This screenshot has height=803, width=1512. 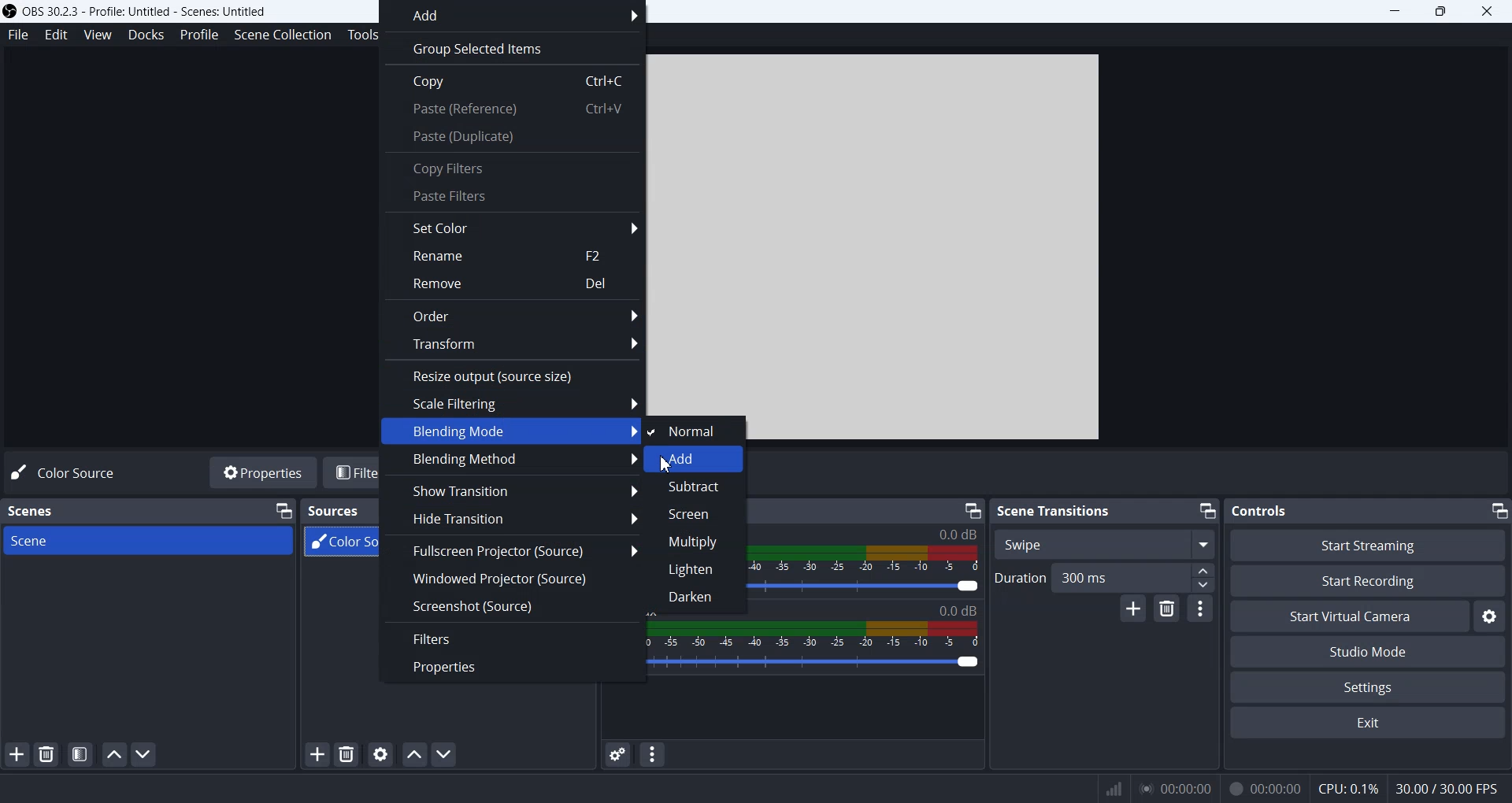 What do you see at coordinates (512, 283) in the screenshot?
I see `Remove` at bounding box center [512, 283].